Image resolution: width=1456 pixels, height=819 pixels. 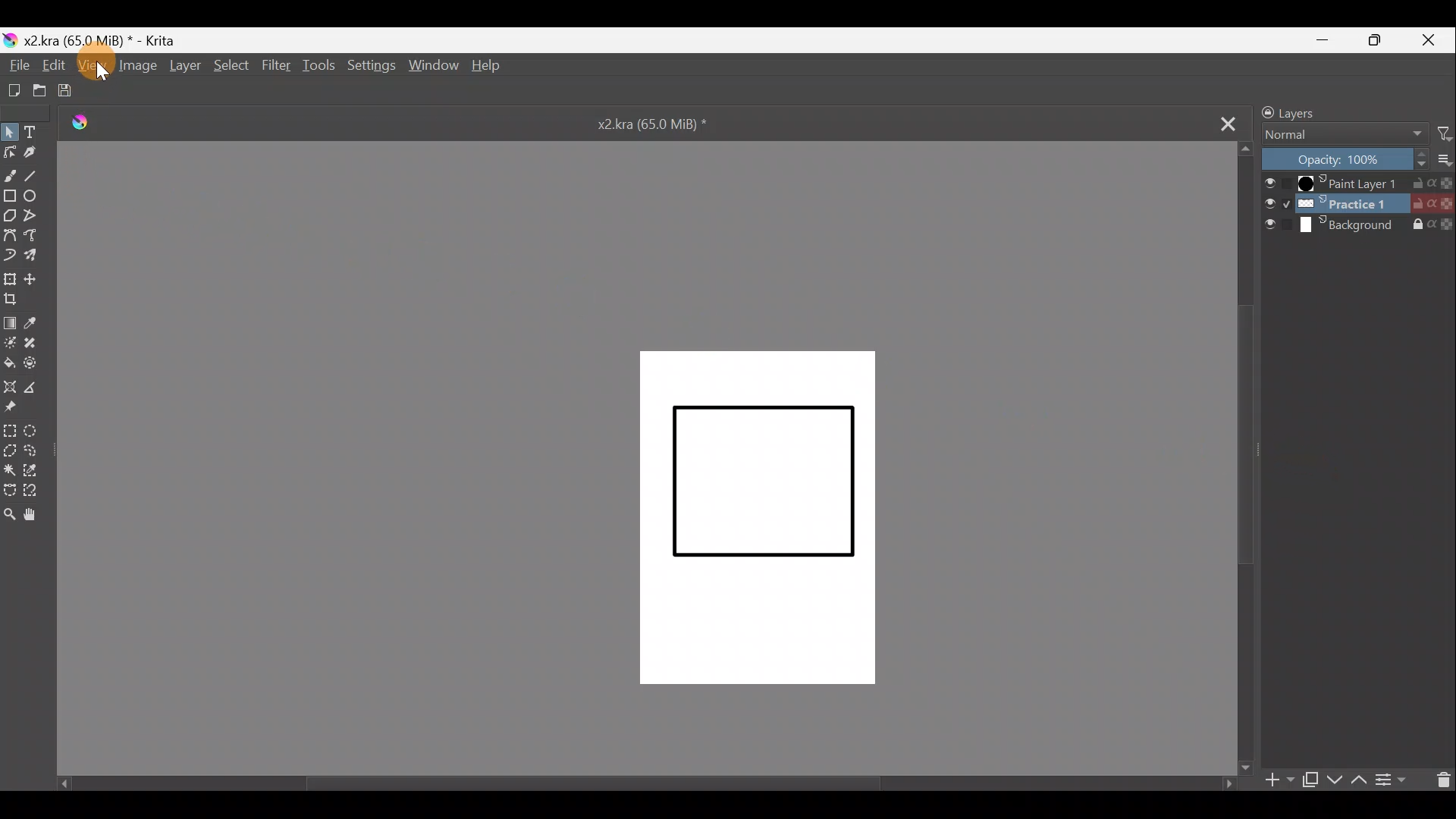 I want to click on Background, so click(x=1359, y=225).